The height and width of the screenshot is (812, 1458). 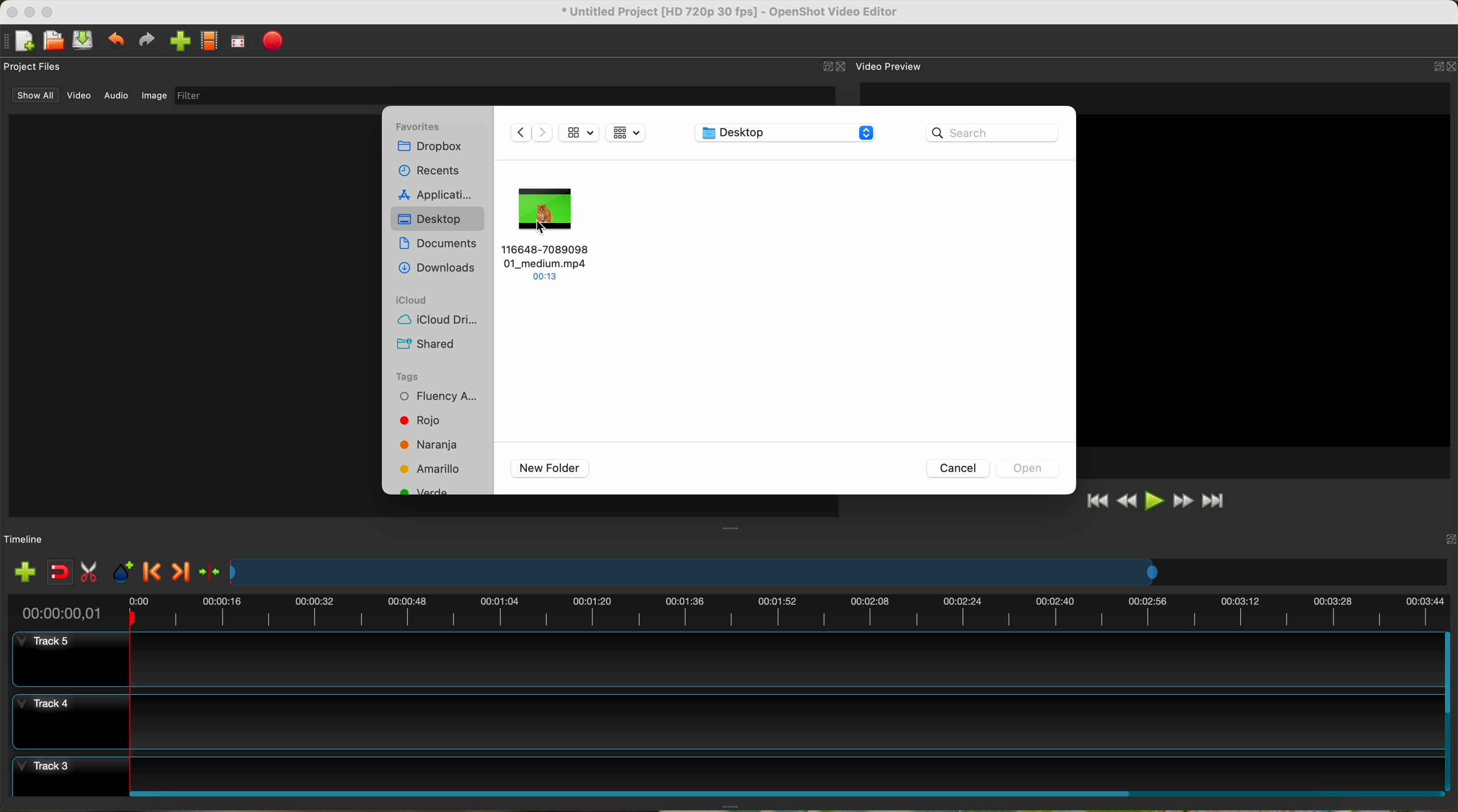 What do you see at coordinates (19, 41) in the screenshot?
I see `new project` at bounding box center [19, 41].